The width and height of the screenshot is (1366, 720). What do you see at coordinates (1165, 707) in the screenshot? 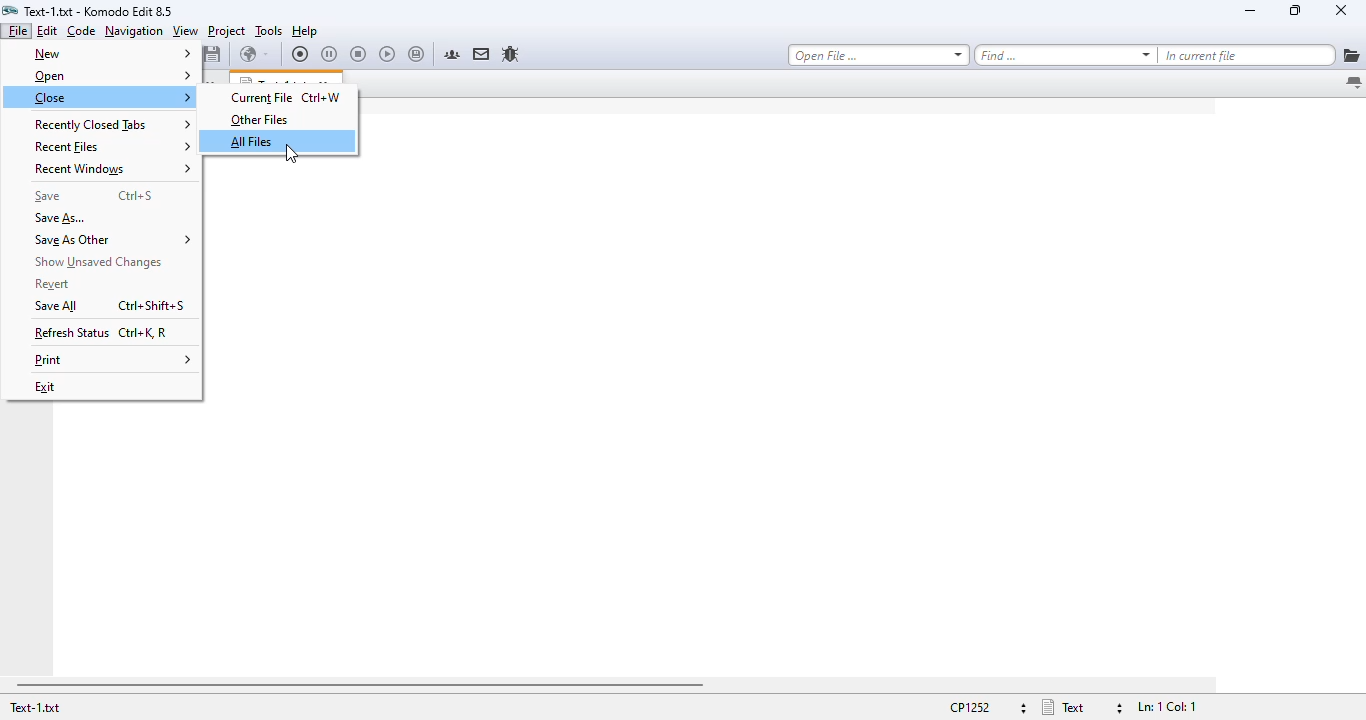
I see `file position` at bounding box center [1165, 707].